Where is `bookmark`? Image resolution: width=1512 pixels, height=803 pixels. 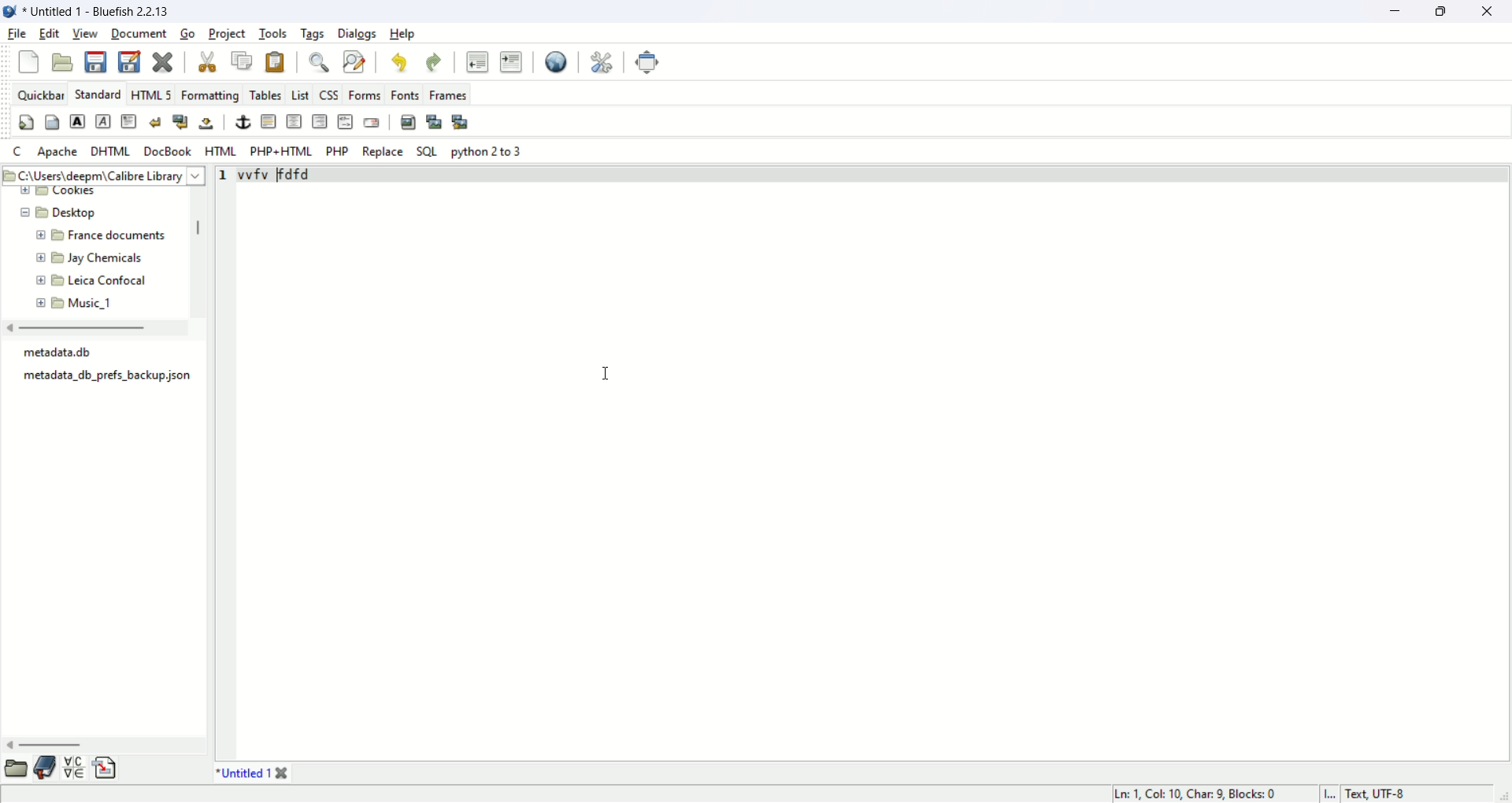 bookmark is located at coordinates (45, 768).